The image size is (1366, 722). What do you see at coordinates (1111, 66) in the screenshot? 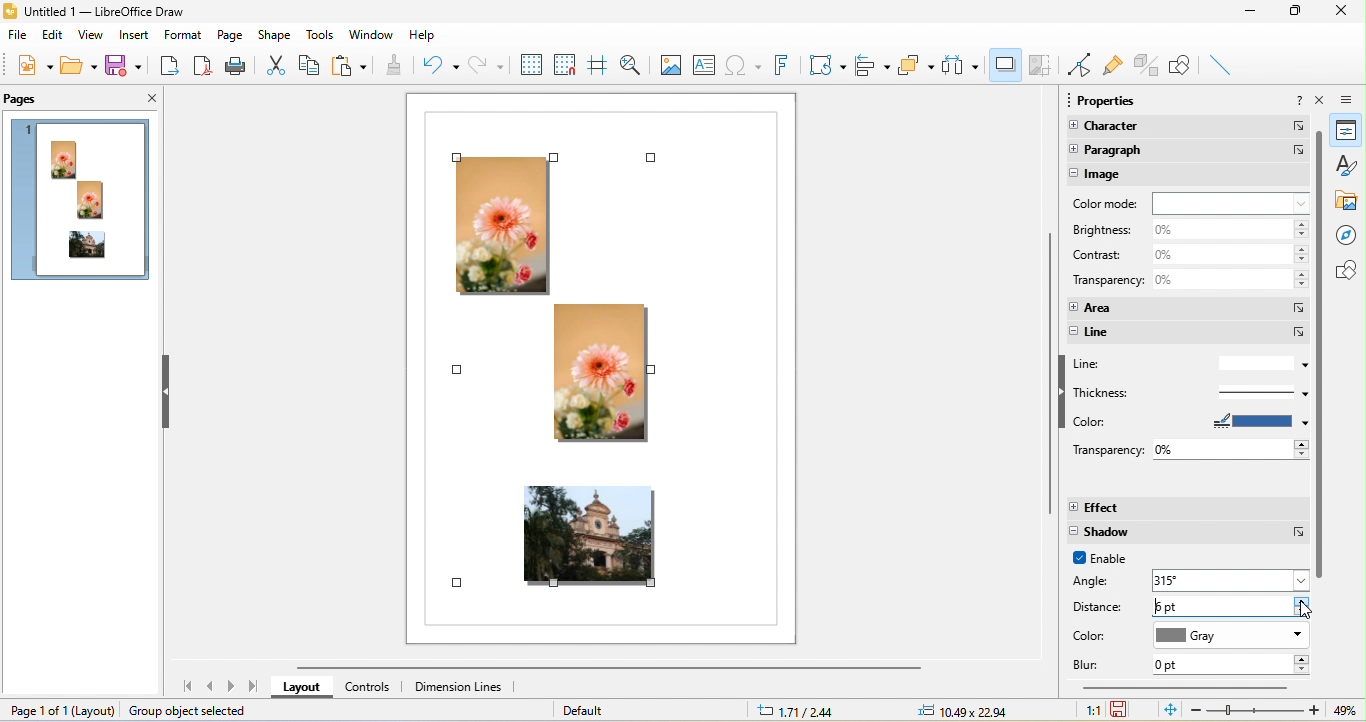
I see `gluepoint function` at bounding box center [1111, 66].